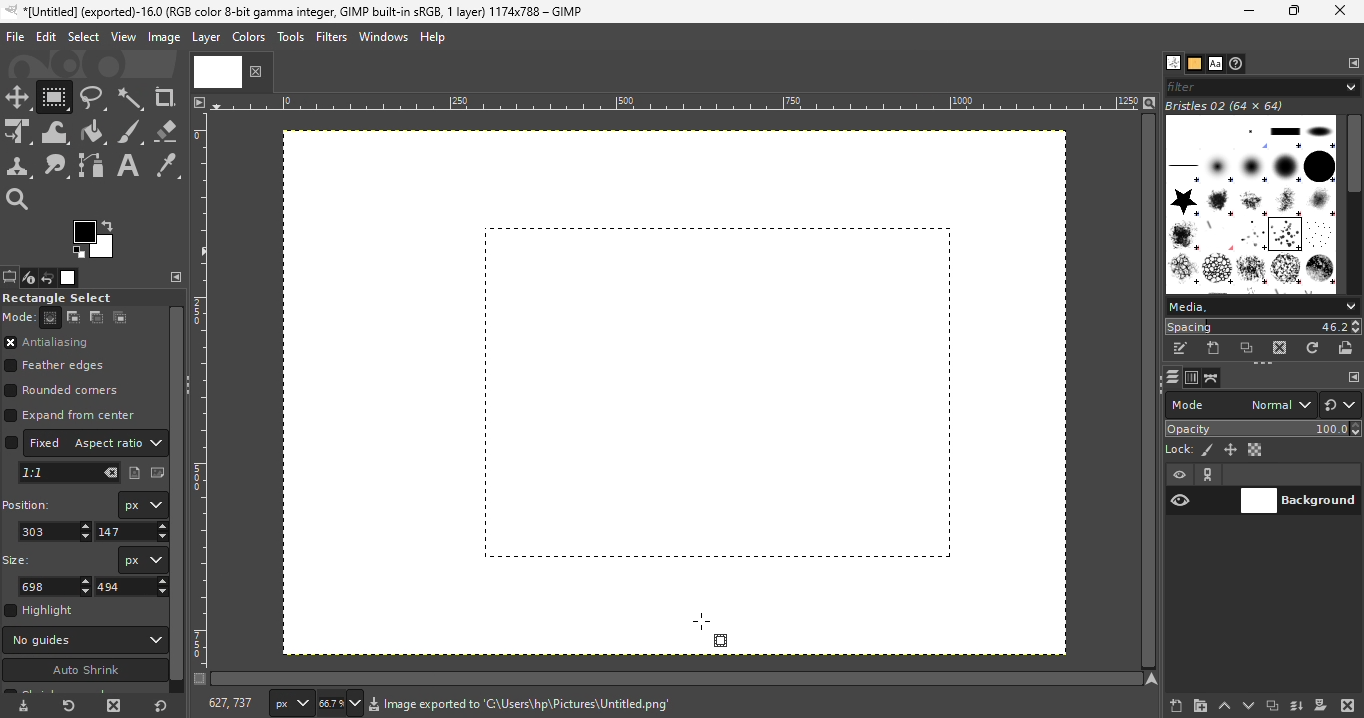  I want to click on Rectangle select, so click(58, 297).